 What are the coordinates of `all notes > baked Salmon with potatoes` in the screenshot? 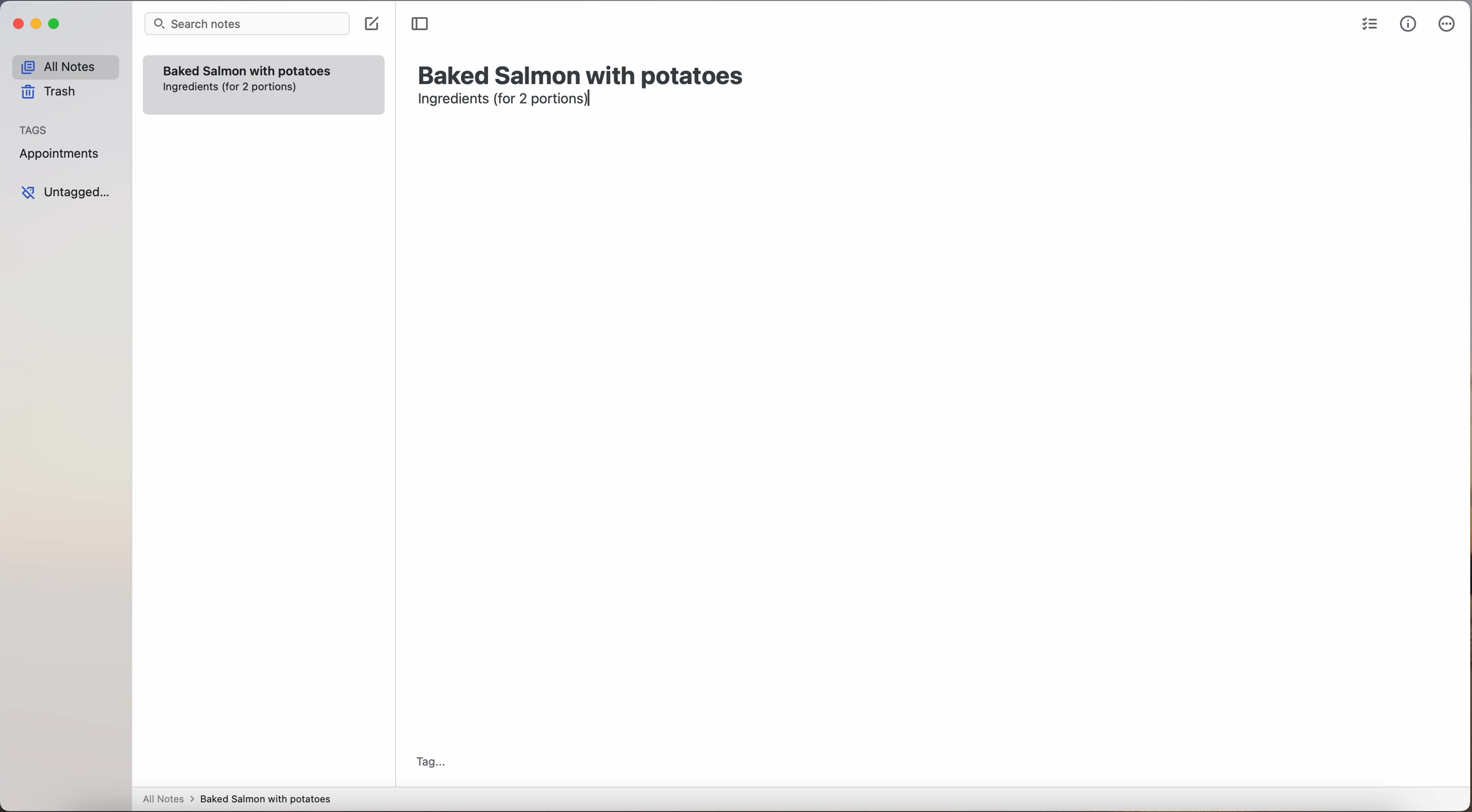 It's located at (237, 798).